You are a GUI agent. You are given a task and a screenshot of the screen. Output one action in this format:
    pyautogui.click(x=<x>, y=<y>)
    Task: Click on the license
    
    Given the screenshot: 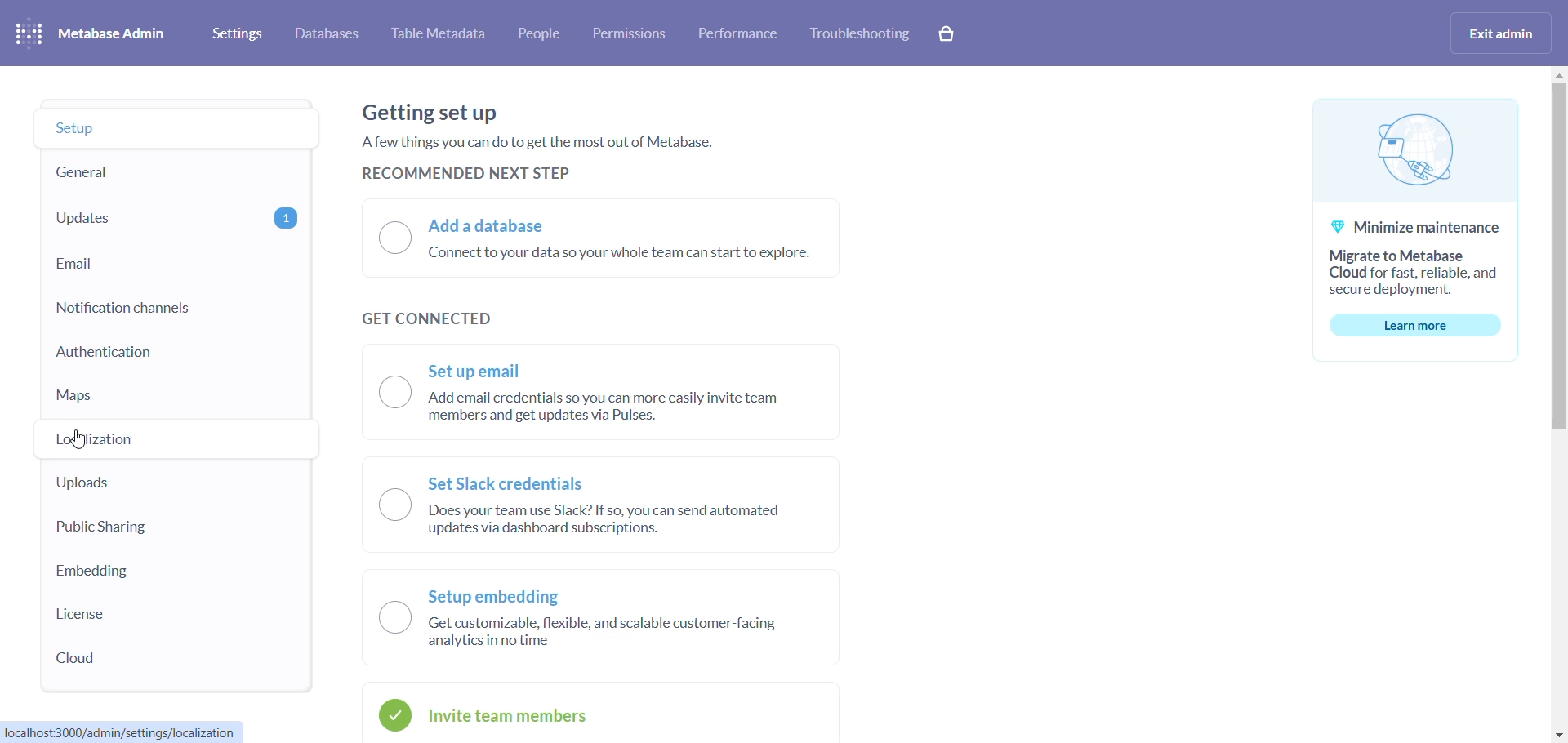 What is the action you would take?
    pyautogui.click(x=160, y=615)
    